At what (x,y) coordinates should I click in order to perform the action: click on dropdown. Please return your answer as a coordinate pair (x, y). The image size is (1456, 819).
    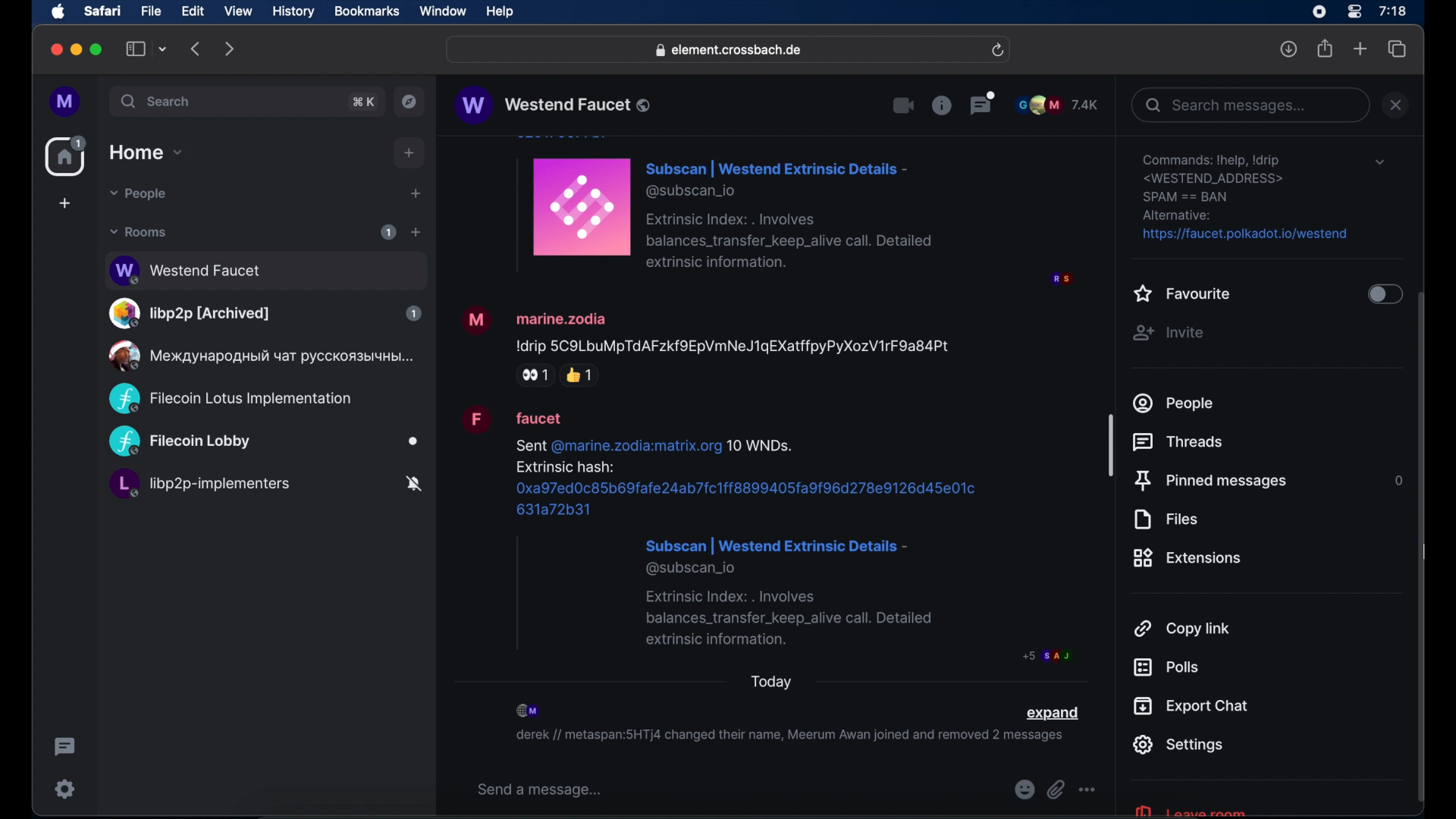
    Looking at the image, I should click on (1379, 162).